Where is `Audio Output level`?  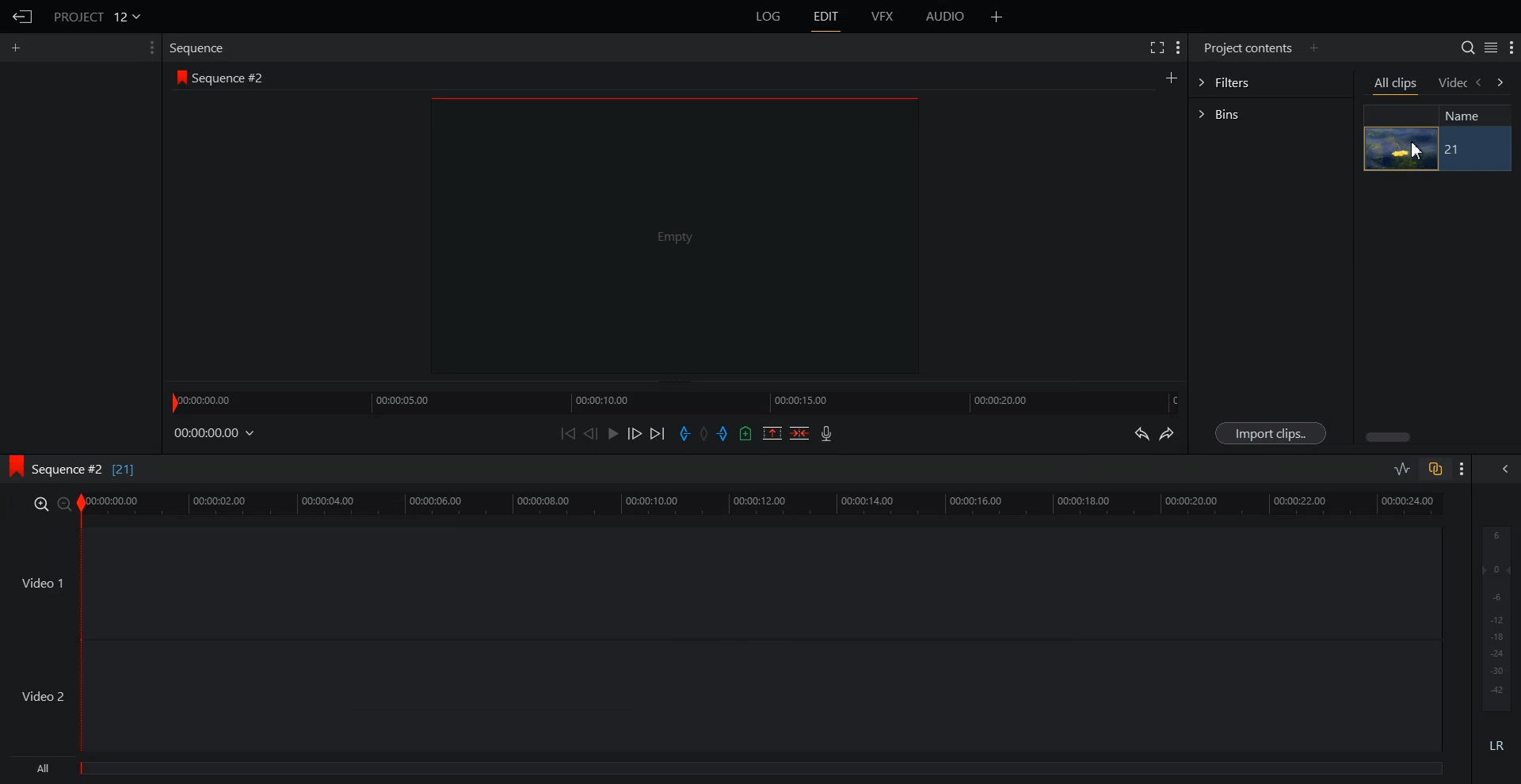 Audio Output level is located at coordinates (1494, 618).